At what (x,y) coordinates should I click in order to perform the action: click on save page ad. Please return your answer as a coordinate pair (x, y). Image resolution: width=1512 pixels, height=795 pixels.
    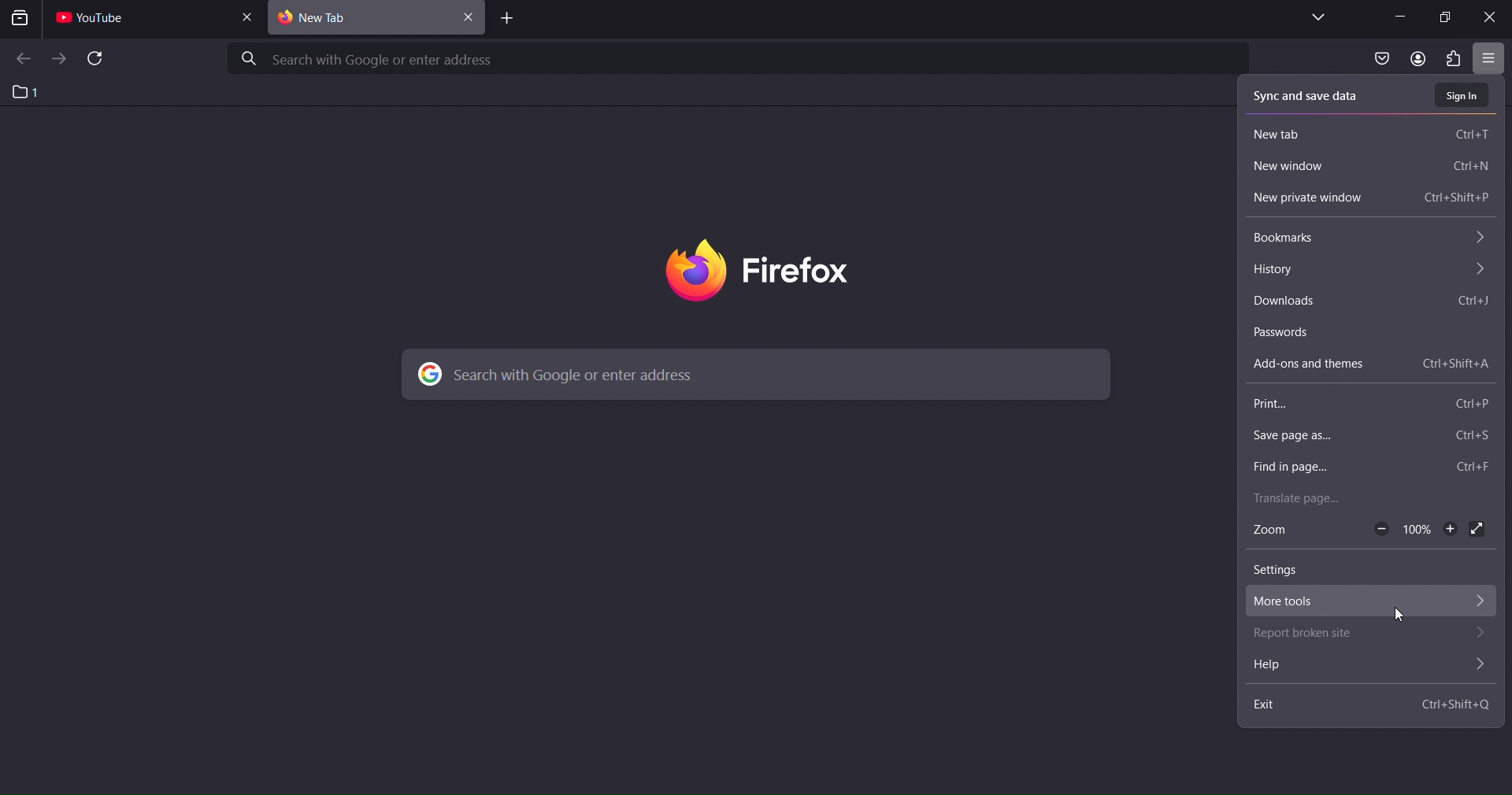
    Looking at the image, I should click on (1300, 438).